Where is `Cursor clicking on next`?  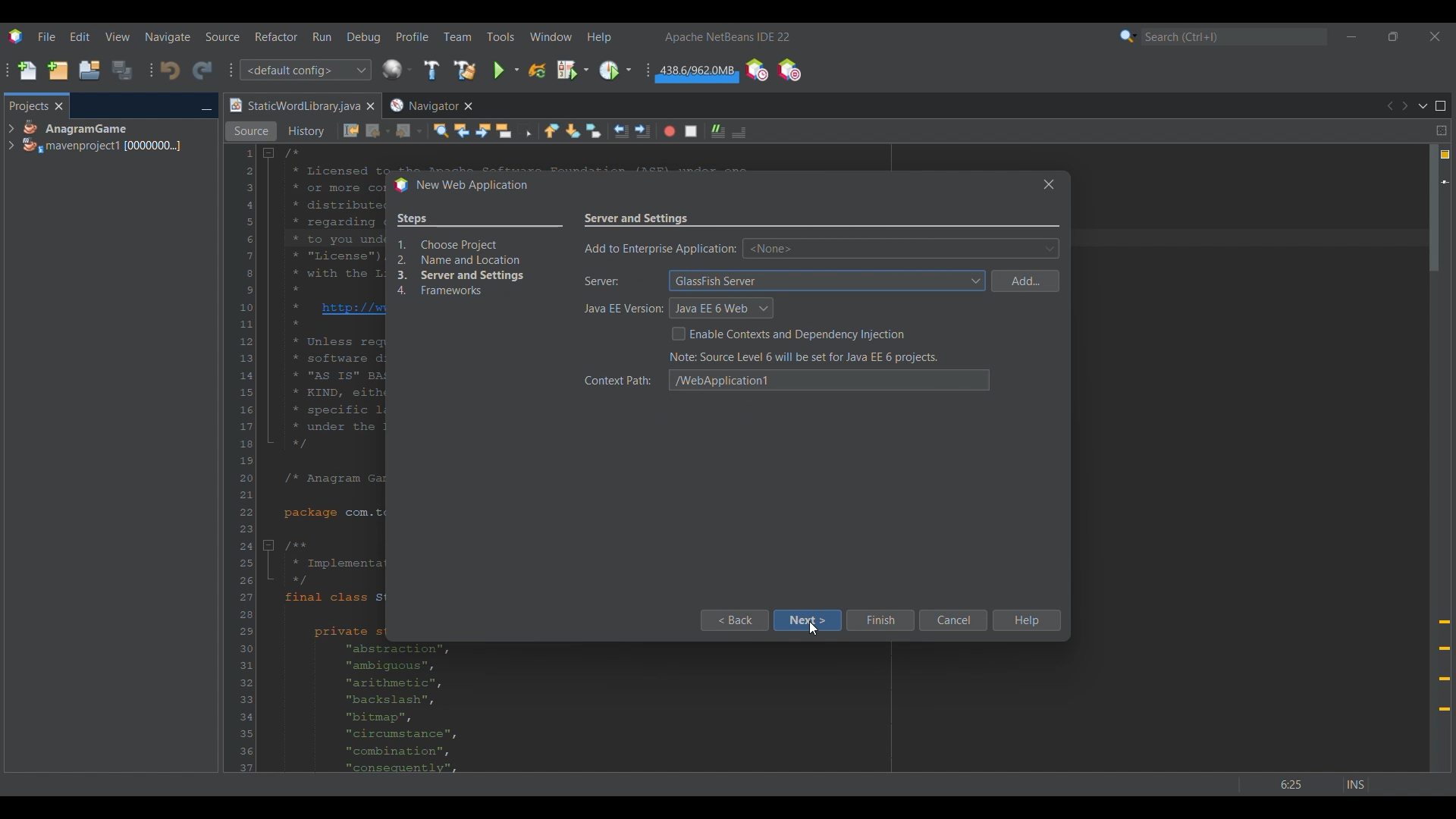 Cursor clicking on next is located at coordinates (813, 628).